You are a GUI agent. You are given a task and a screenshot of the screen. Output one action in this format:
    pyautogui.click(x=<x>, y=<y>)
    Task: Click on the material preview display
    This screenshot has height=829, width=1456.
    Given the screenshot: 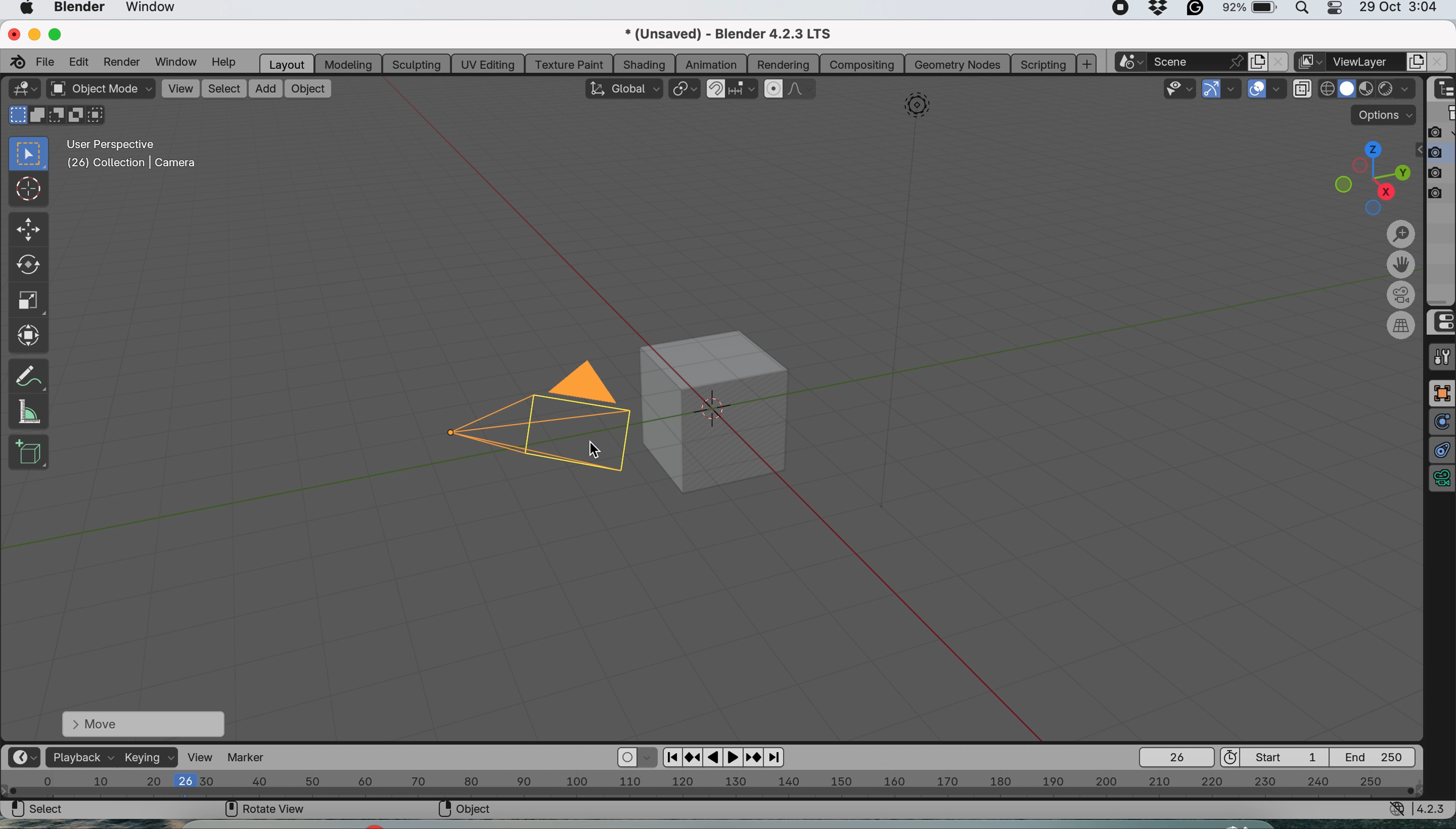 What is the action you would take?
    pyautogui.click(x=1348, y=89)
    